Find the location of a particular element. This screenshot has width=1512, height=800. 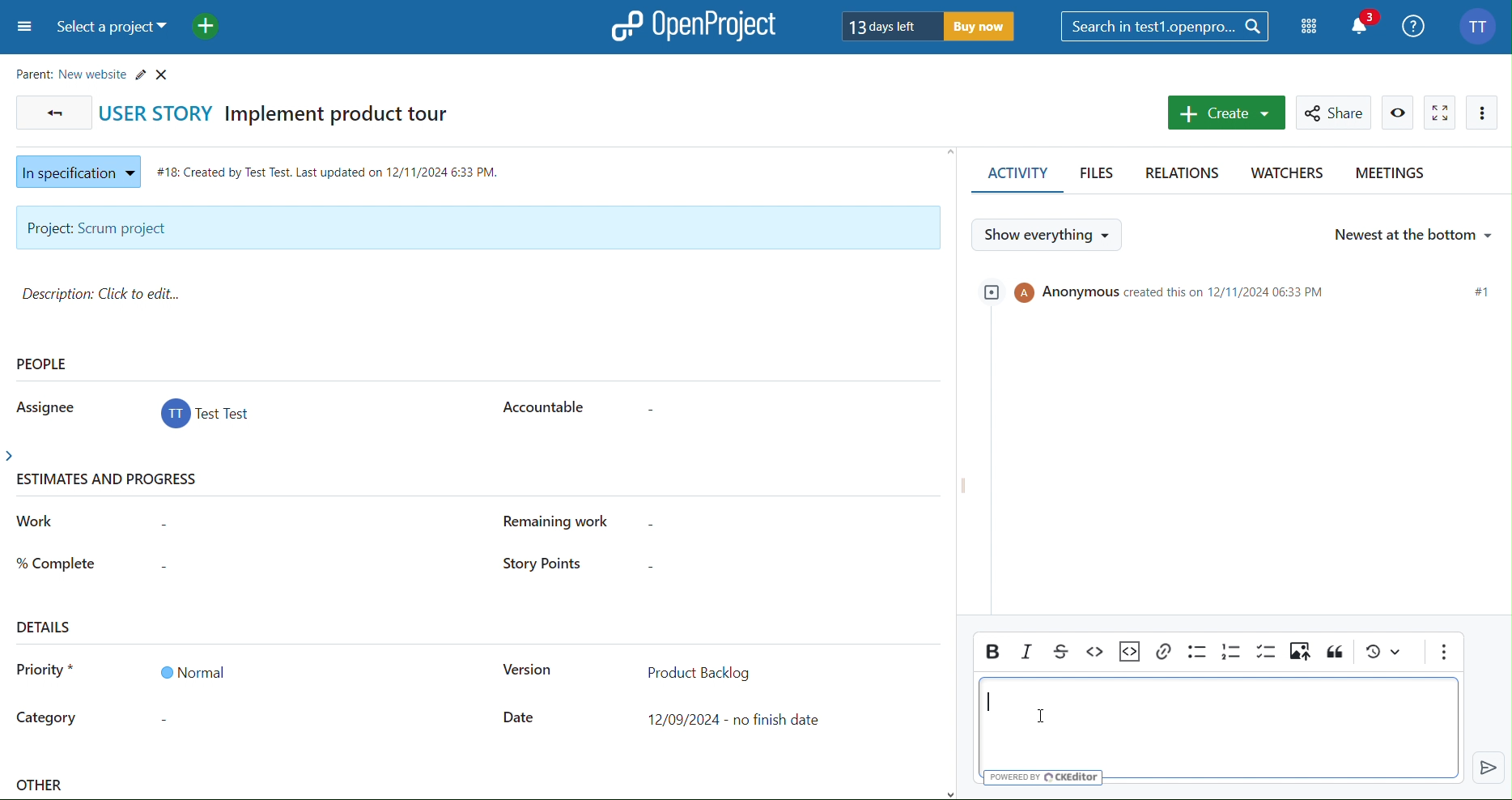

Parent new website is located at coordinates (96, 71).